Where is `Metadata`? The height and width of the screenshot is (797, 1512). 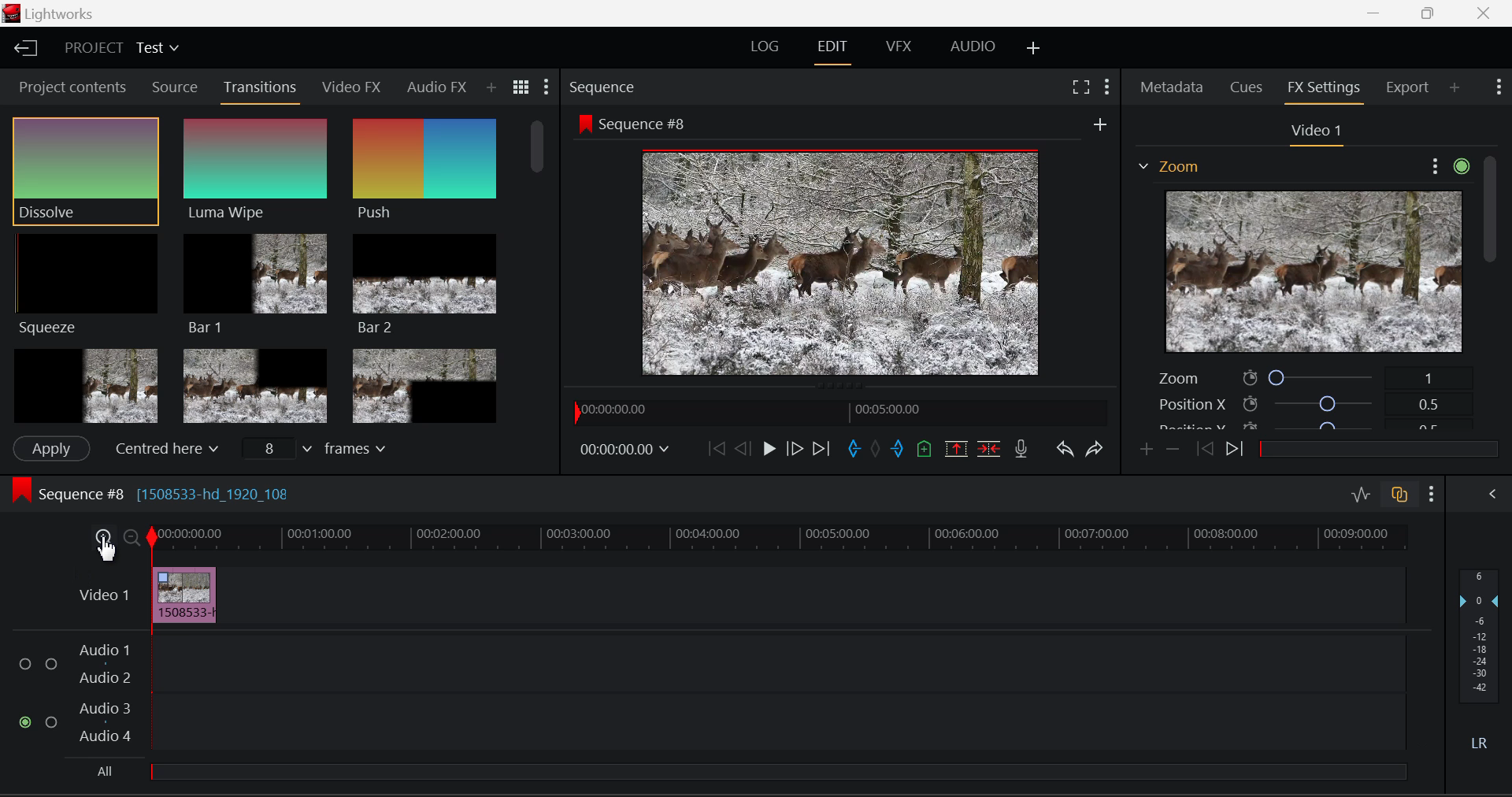
Metadata is located at coordinates (1170, 87).